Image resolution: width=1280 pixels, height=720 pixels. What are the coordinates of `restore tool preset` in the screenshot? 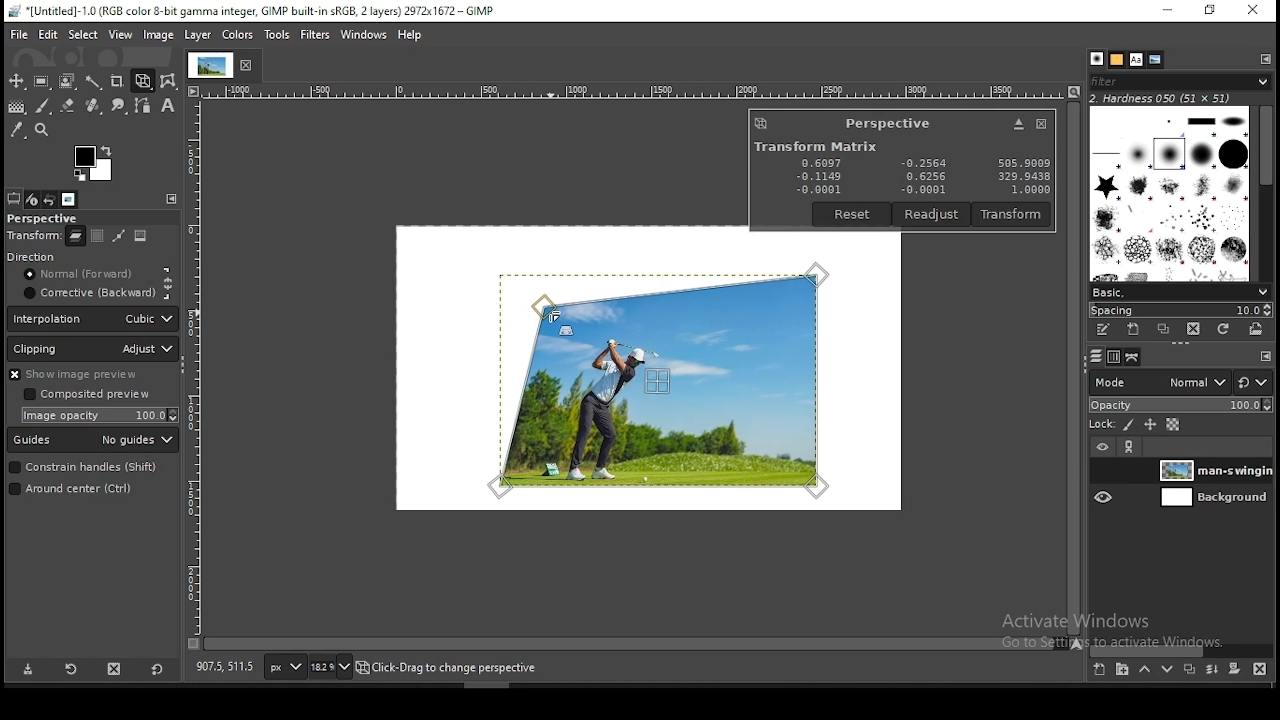 It's located at (70, 669).